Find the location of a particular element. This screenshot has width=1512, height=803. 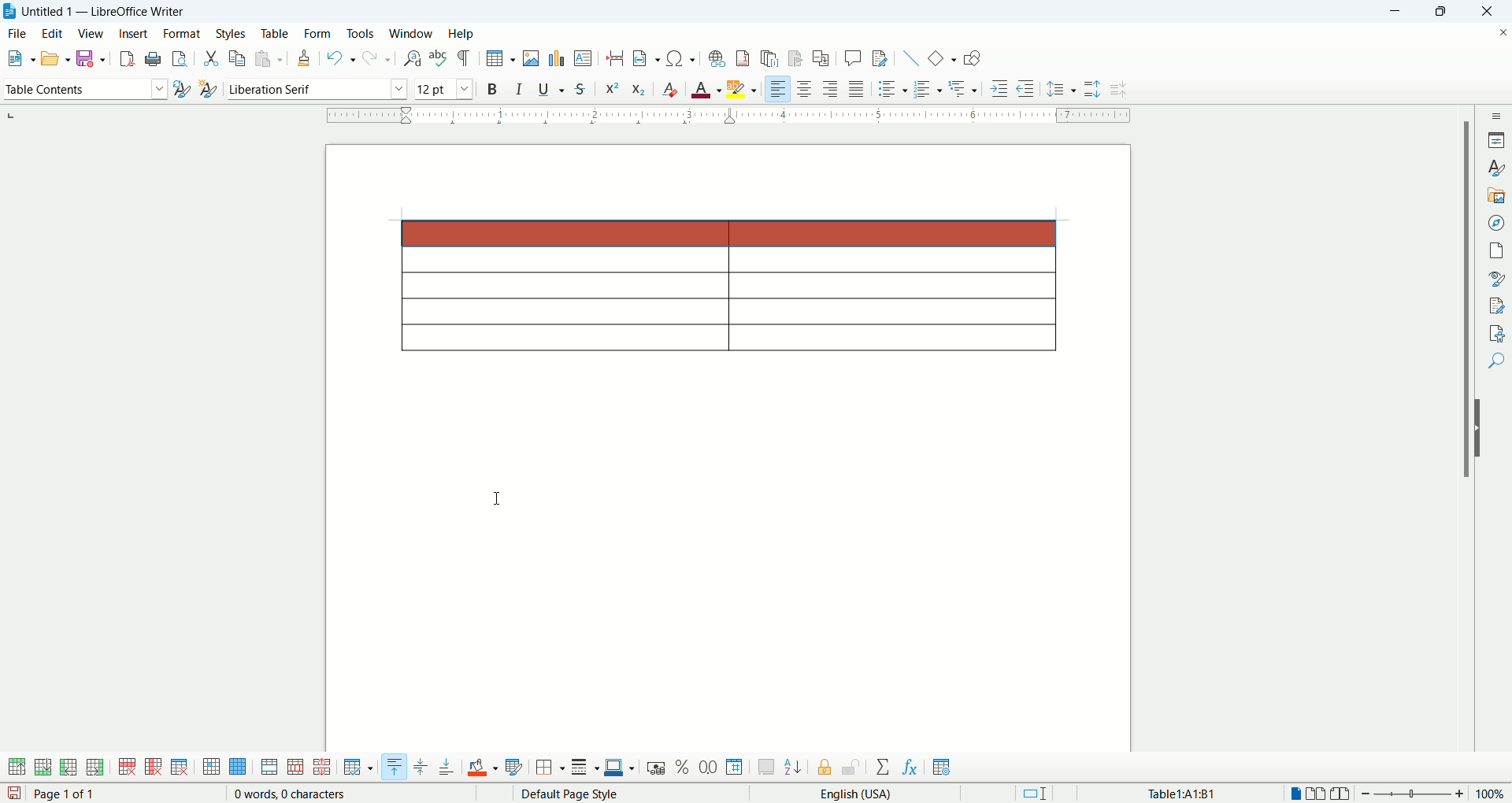

percent format is located at coordinates (684, 767).